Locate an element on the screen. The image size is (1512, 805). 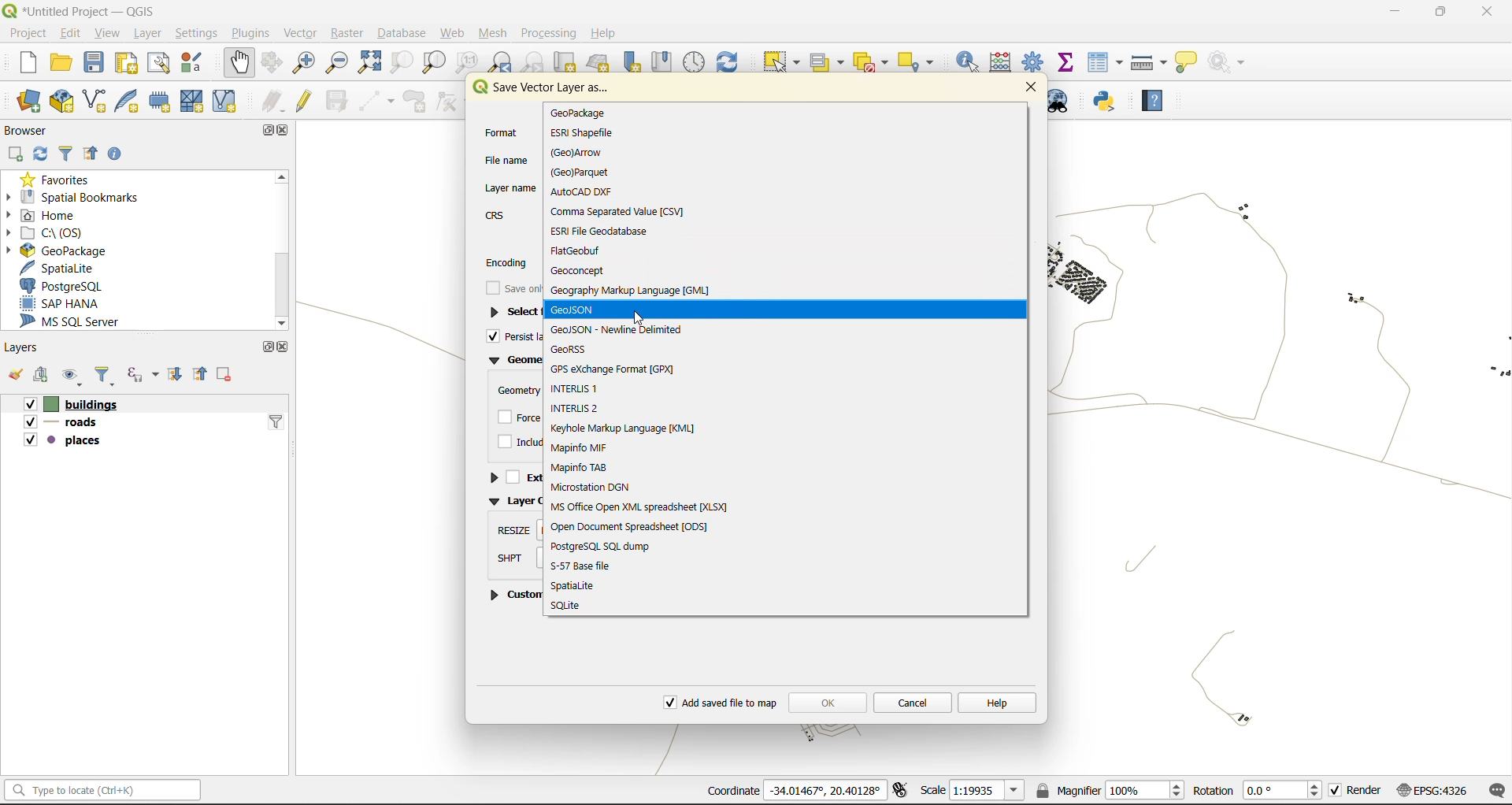
keyhole markup language is located at coordinates (632, 428).